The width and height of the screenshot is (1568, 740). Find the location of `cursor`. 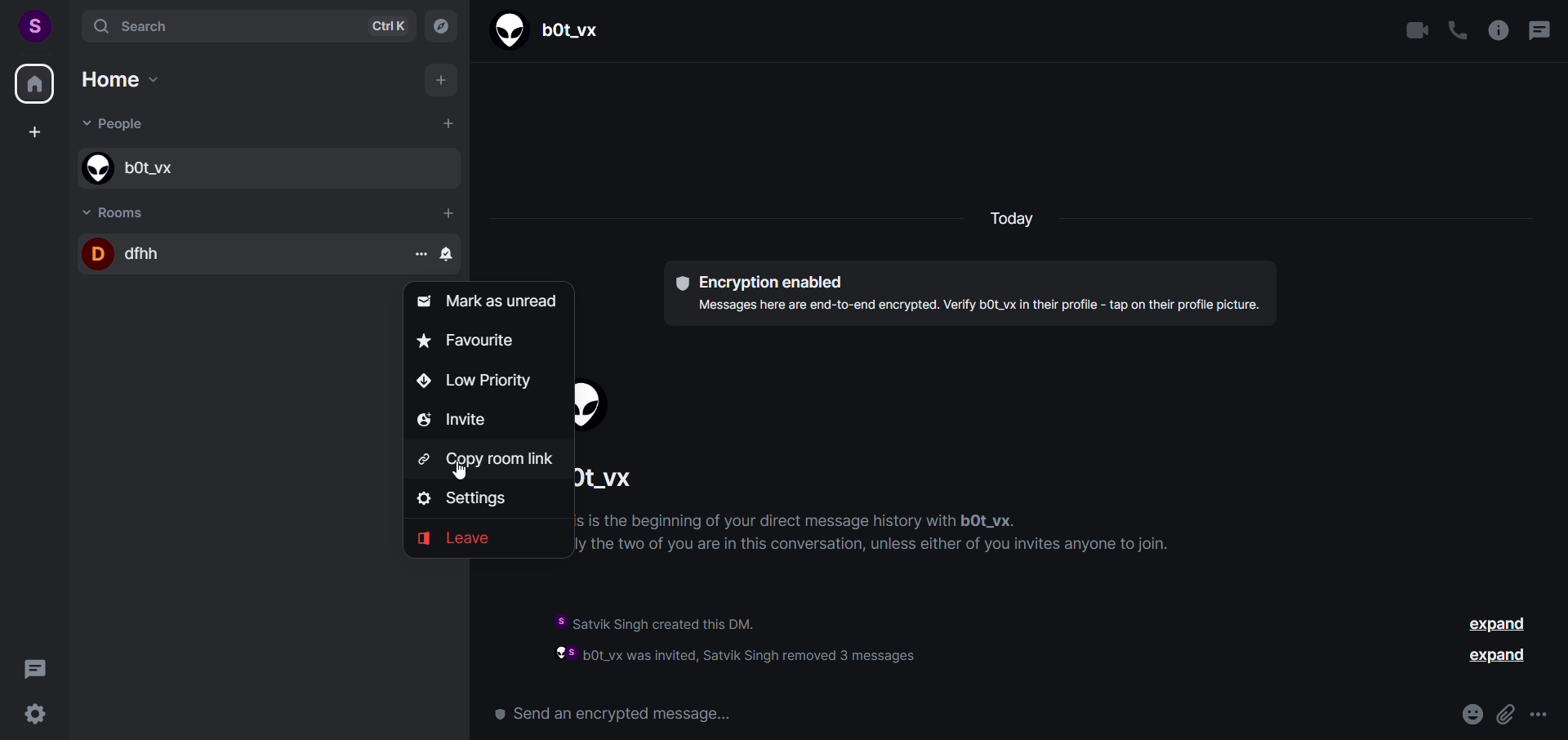

cursor is located at coordinates (460, 473).